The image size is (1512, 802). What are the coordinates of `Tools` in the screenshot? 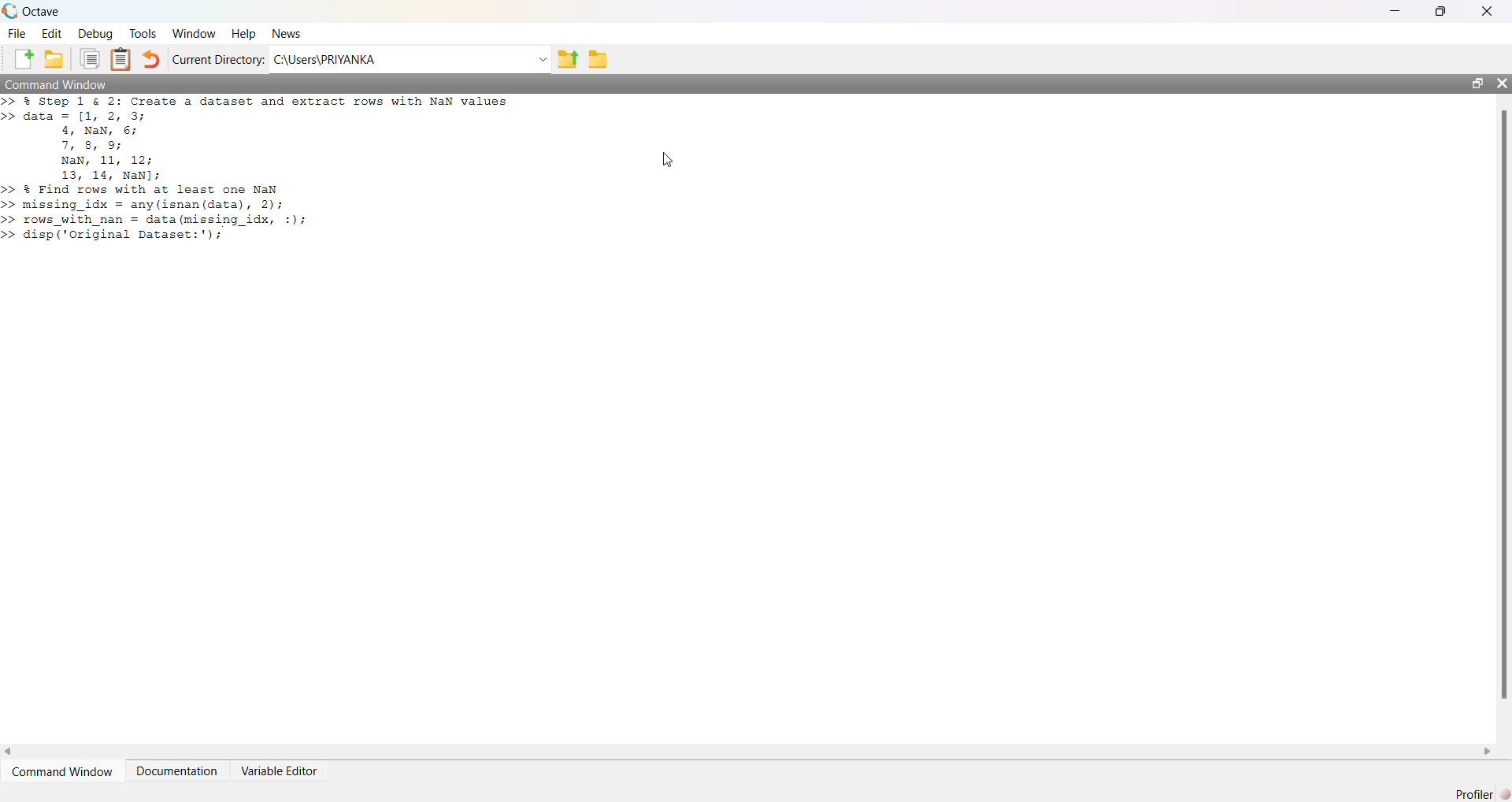 It's located at (143, 33).